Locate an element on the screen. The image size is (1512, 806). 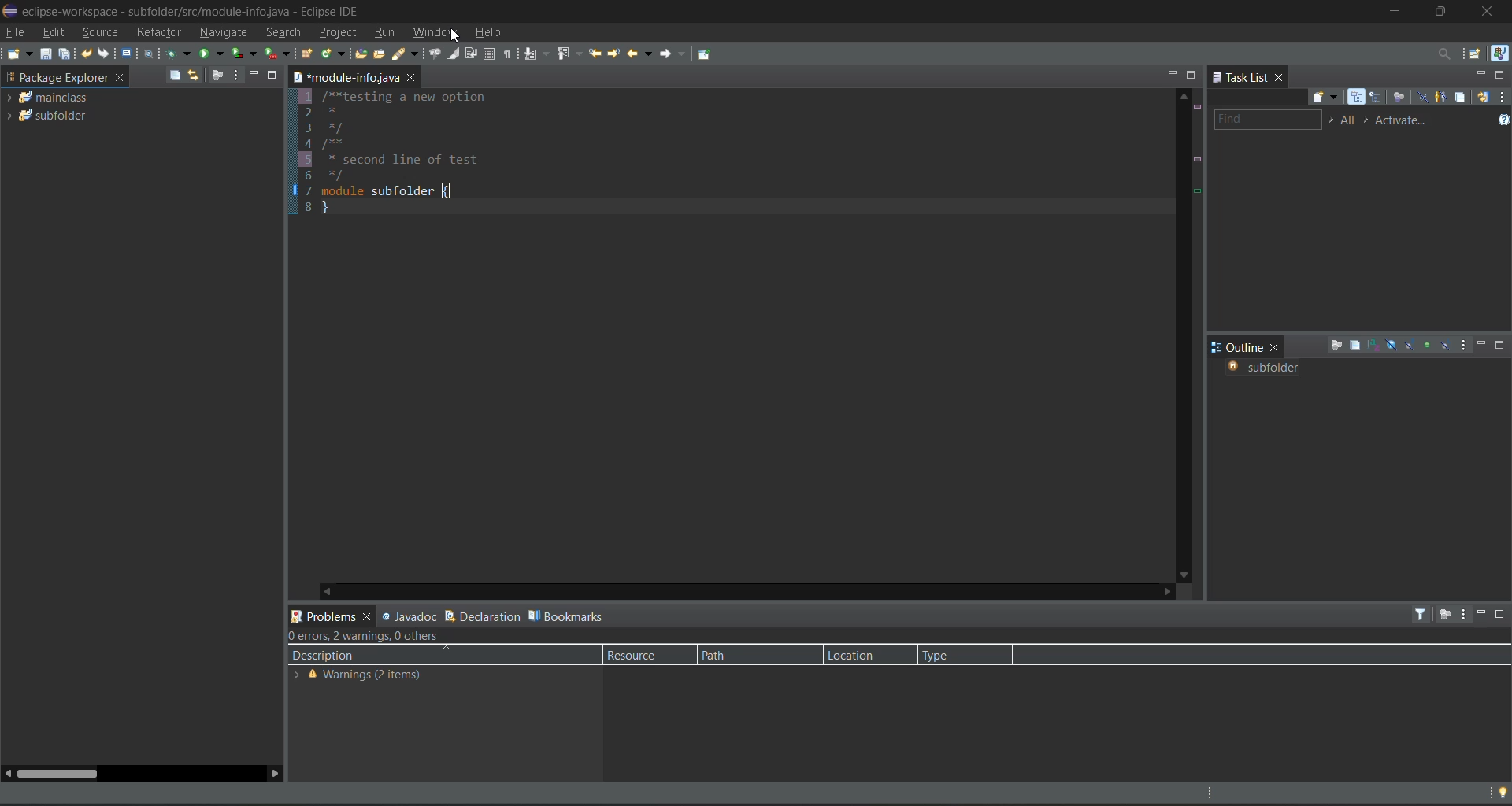
close is located at coordinates (1280, 76).